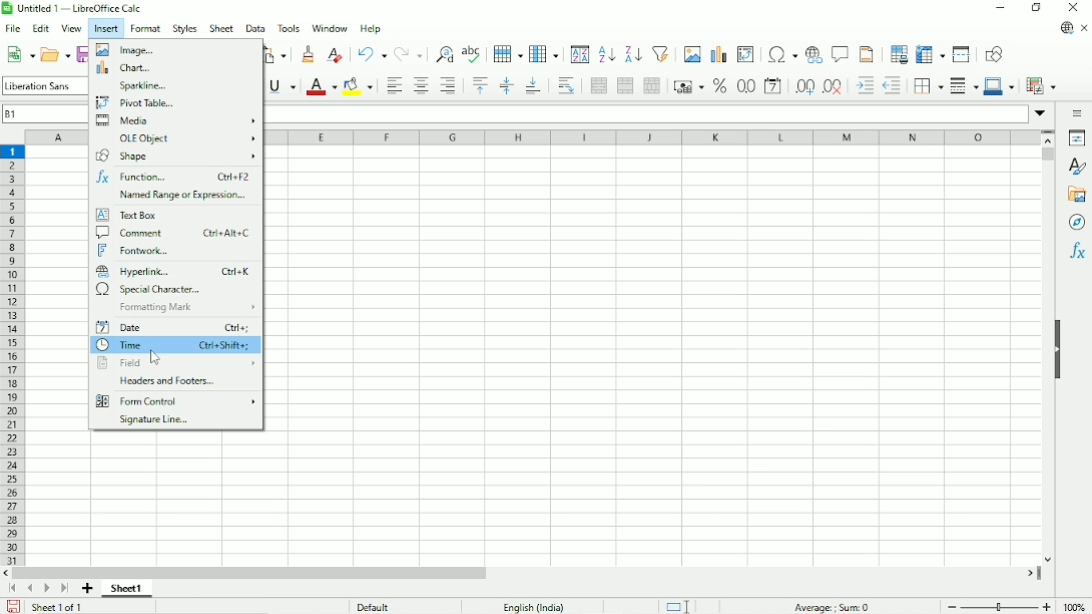  I want to click on Add decimal place, so click(802, 86).